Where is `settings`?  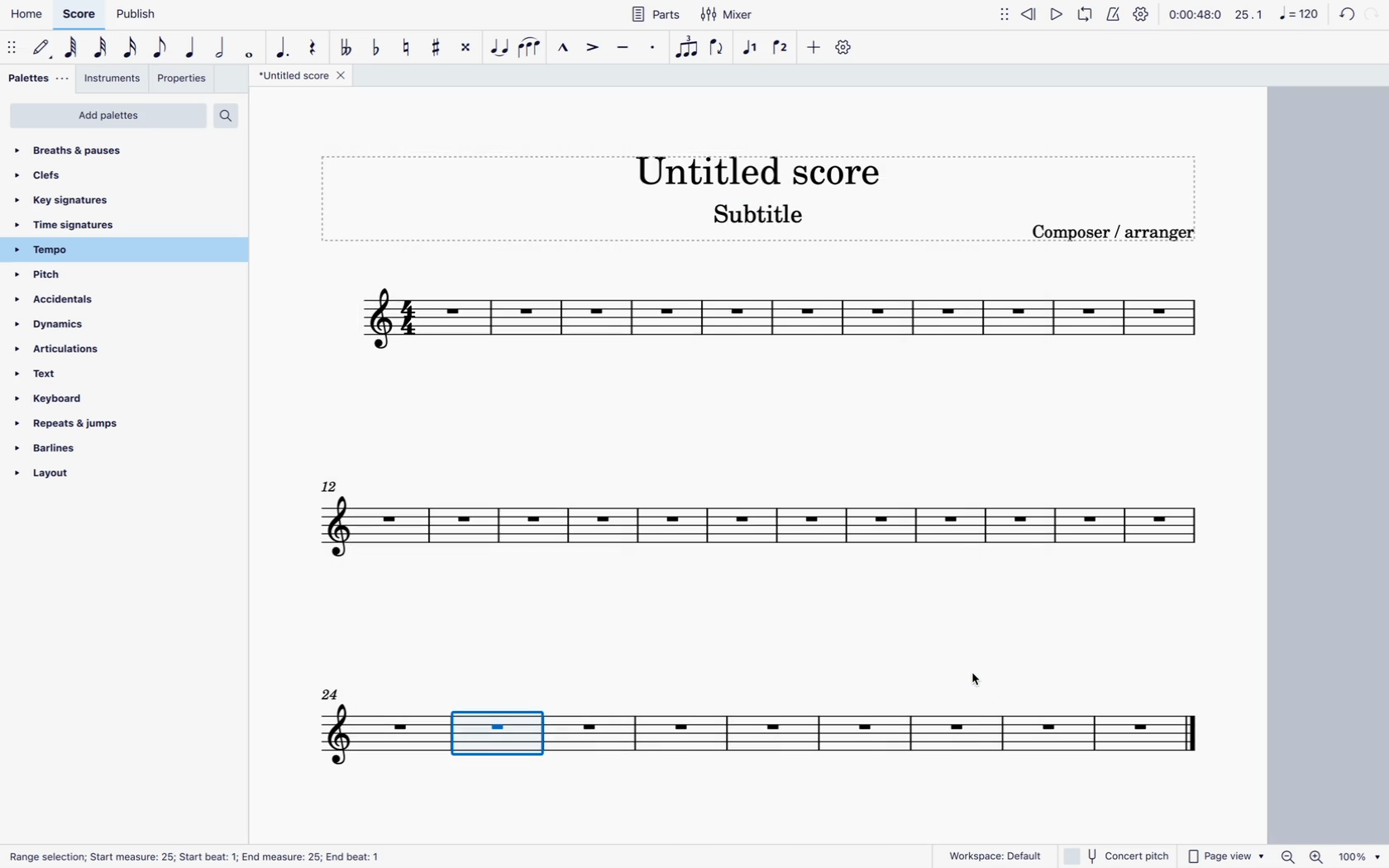
settings is located at coordinates (1141, 16).